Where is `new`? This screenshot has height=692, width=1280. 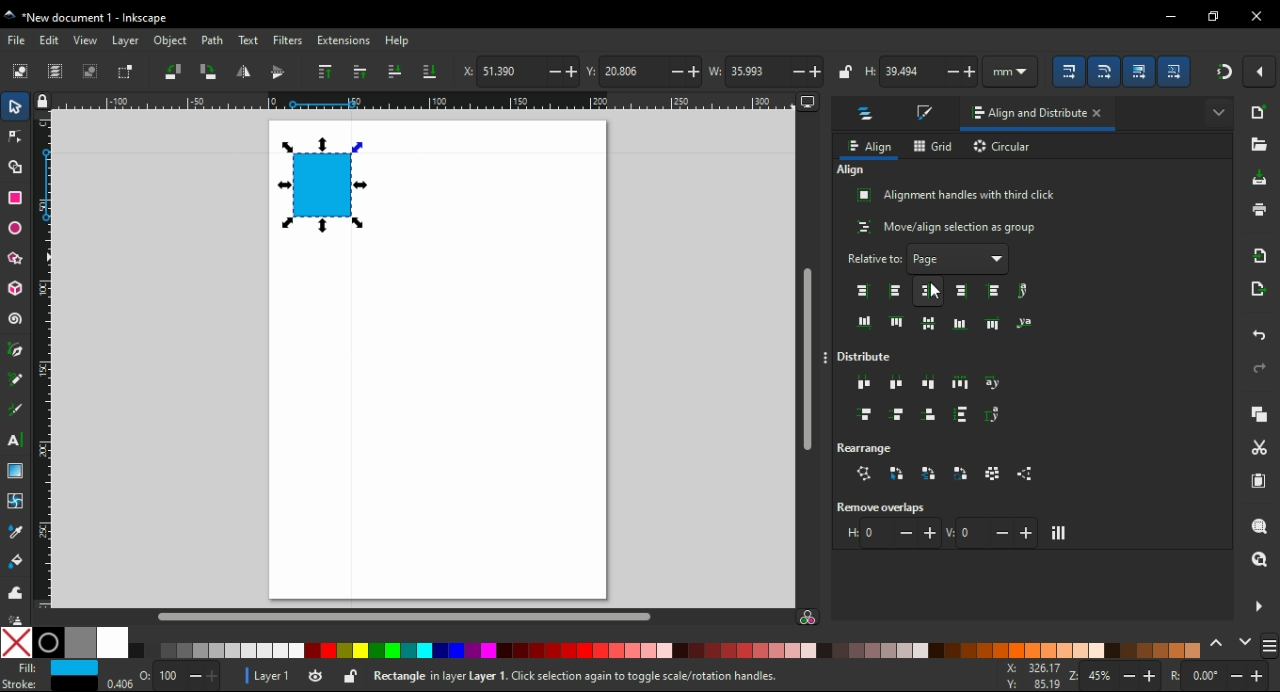 new is located at coordinates (1260, 112).